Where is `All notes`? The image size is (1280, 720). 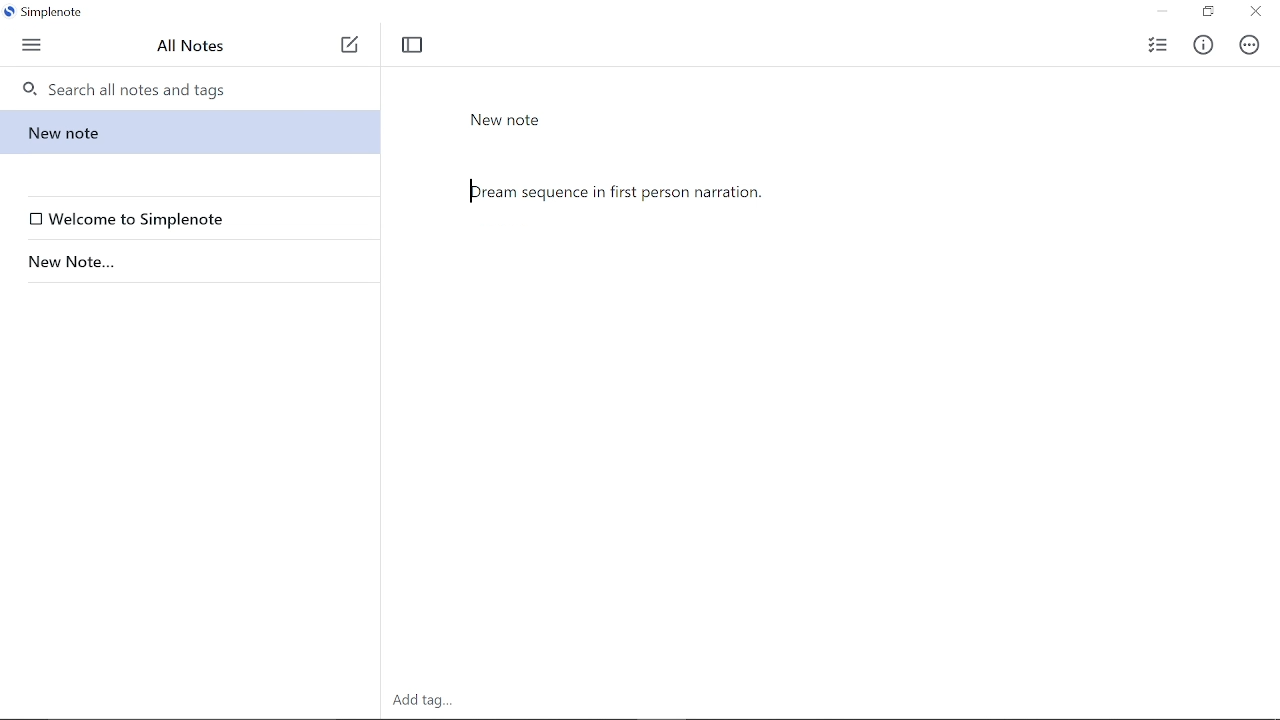 All notes is located at coordinates (192, 45).